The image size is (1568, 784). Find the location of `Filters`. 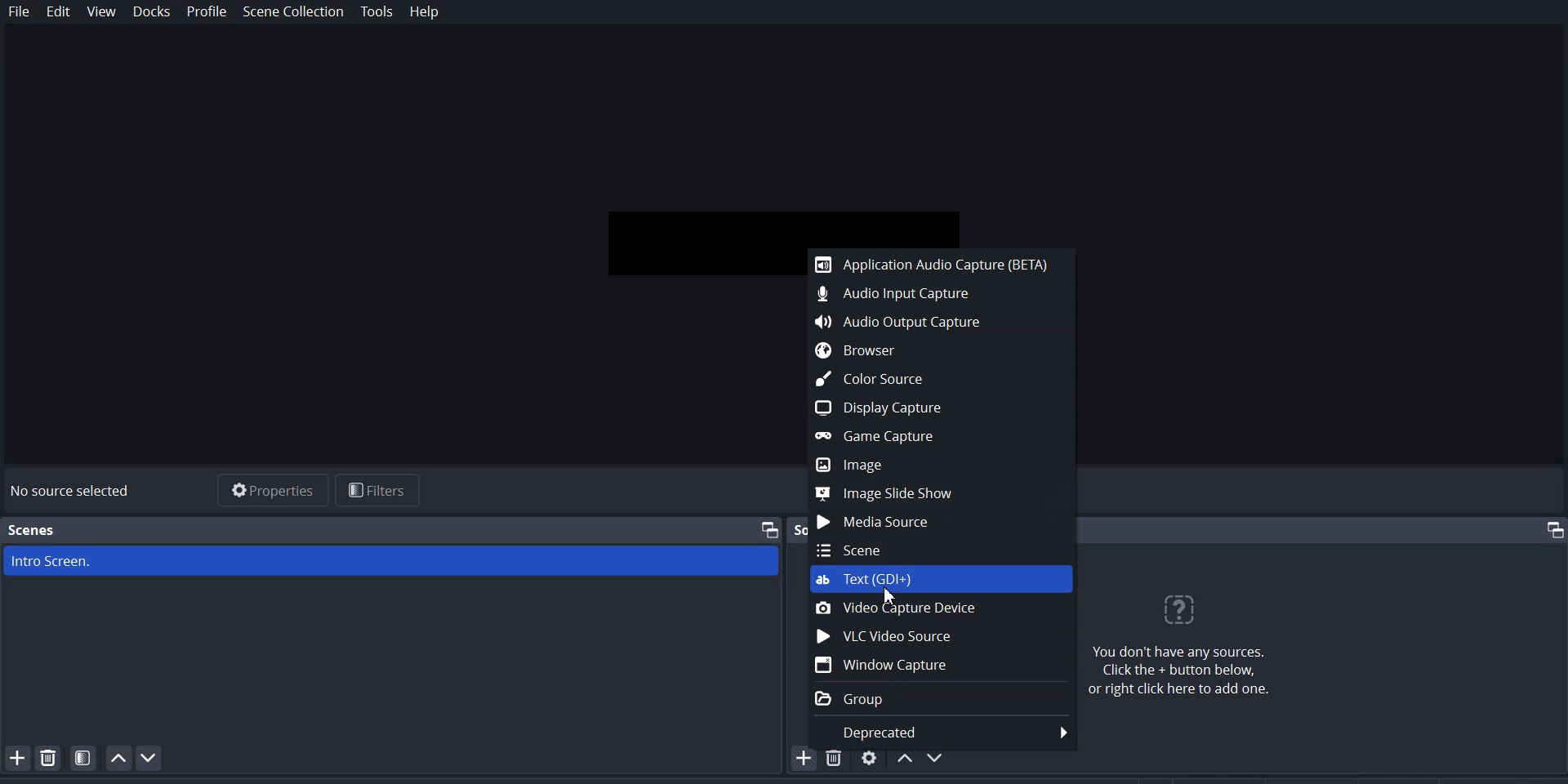

Filters is located at coordinates (379, 490).